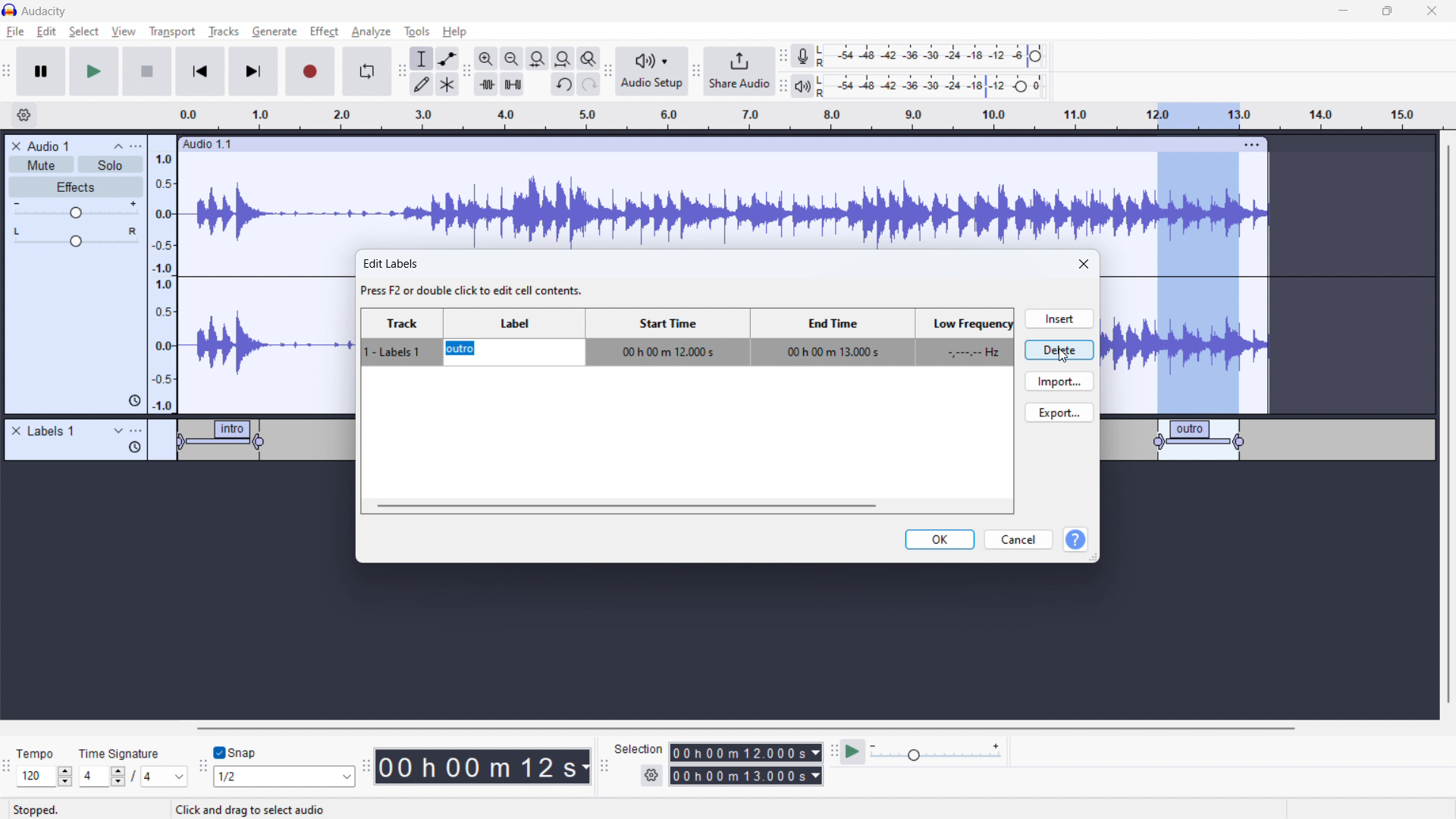 This screenshot has width=1456, height=819. I want to click on ok, so click(940, 539).